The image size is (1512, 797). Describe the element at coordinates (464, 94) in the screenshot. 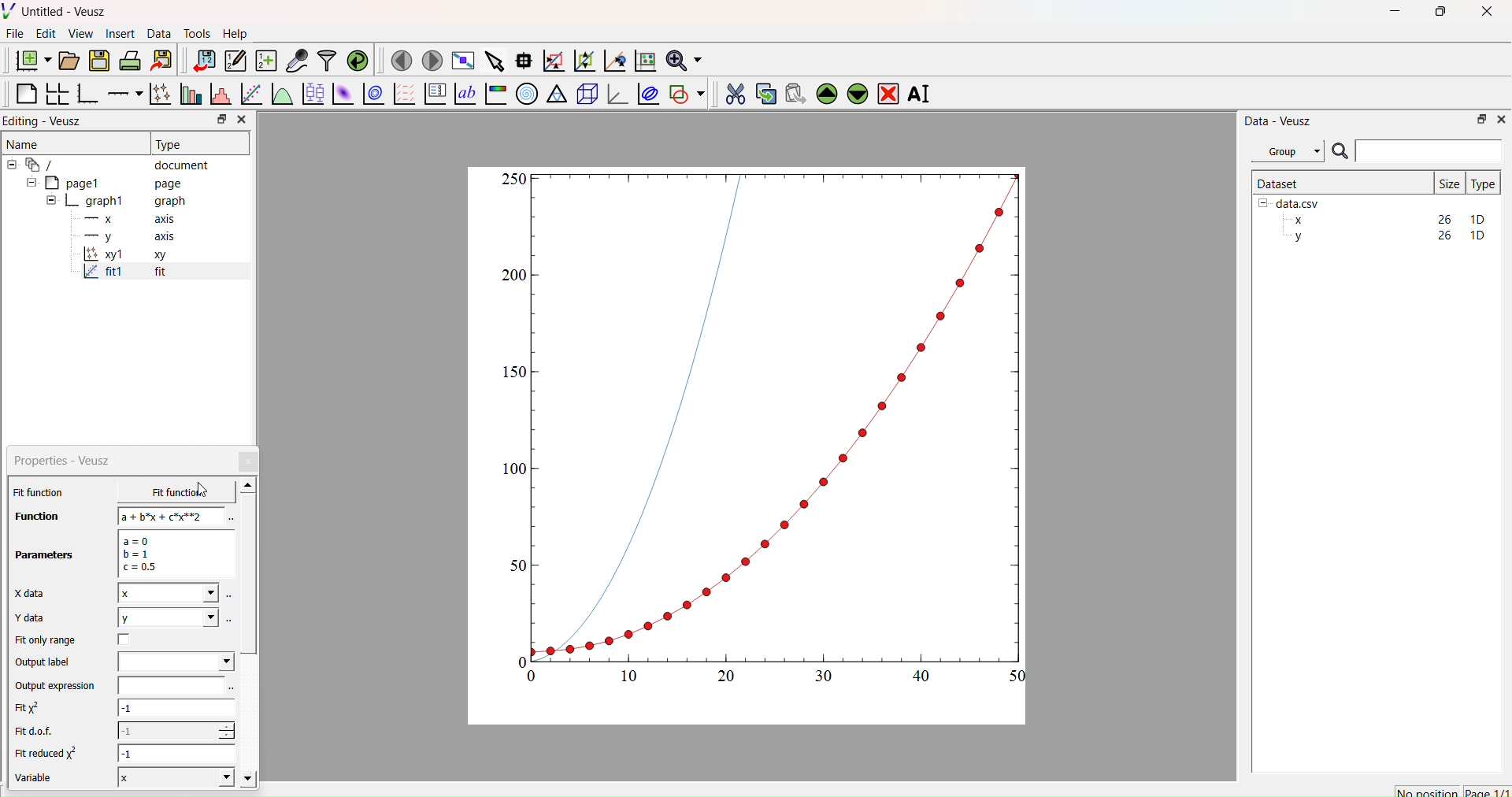

I see `Text label` at that location.